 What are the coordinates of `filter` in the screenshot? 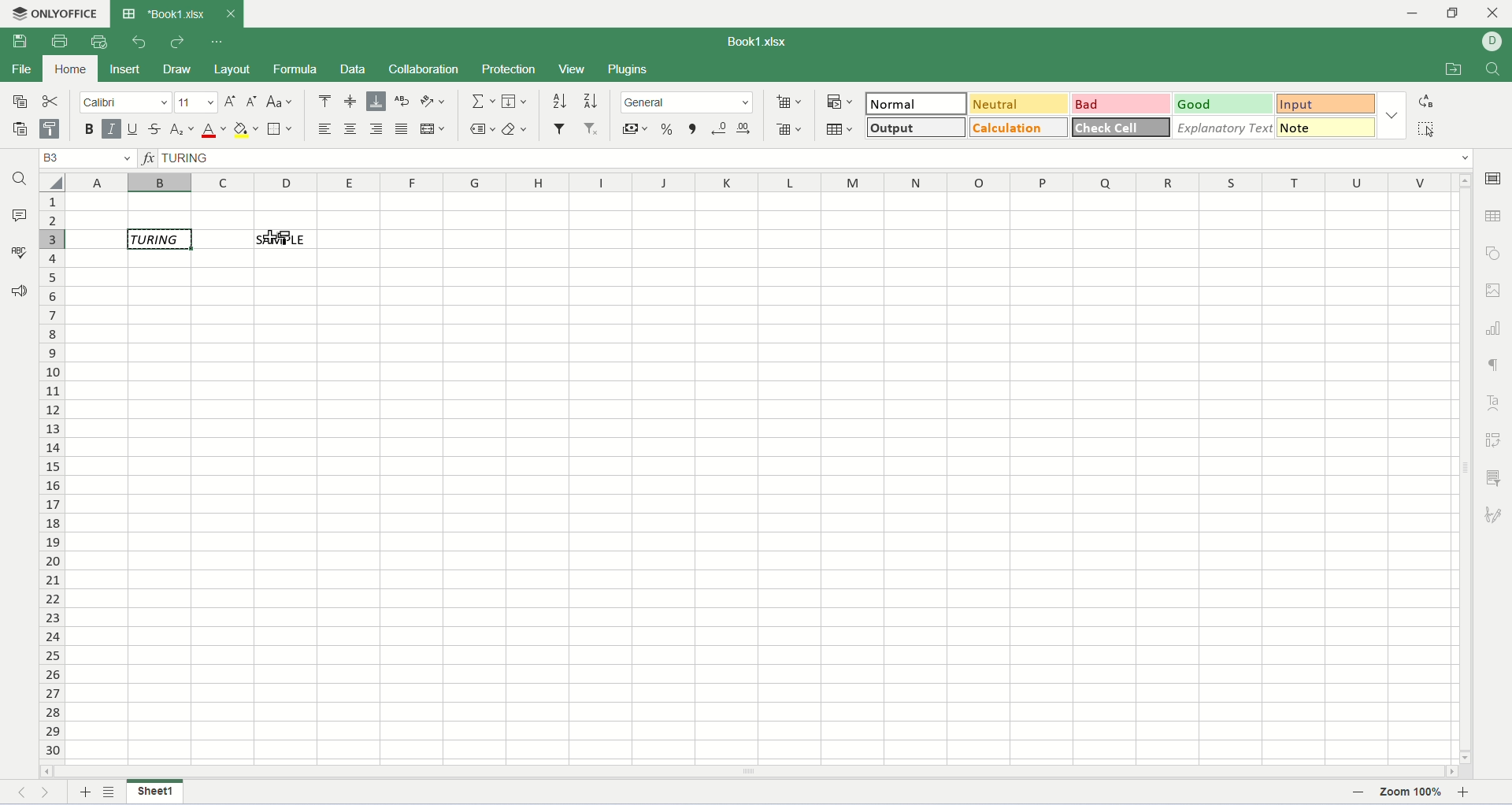 It's located at (561, 127).